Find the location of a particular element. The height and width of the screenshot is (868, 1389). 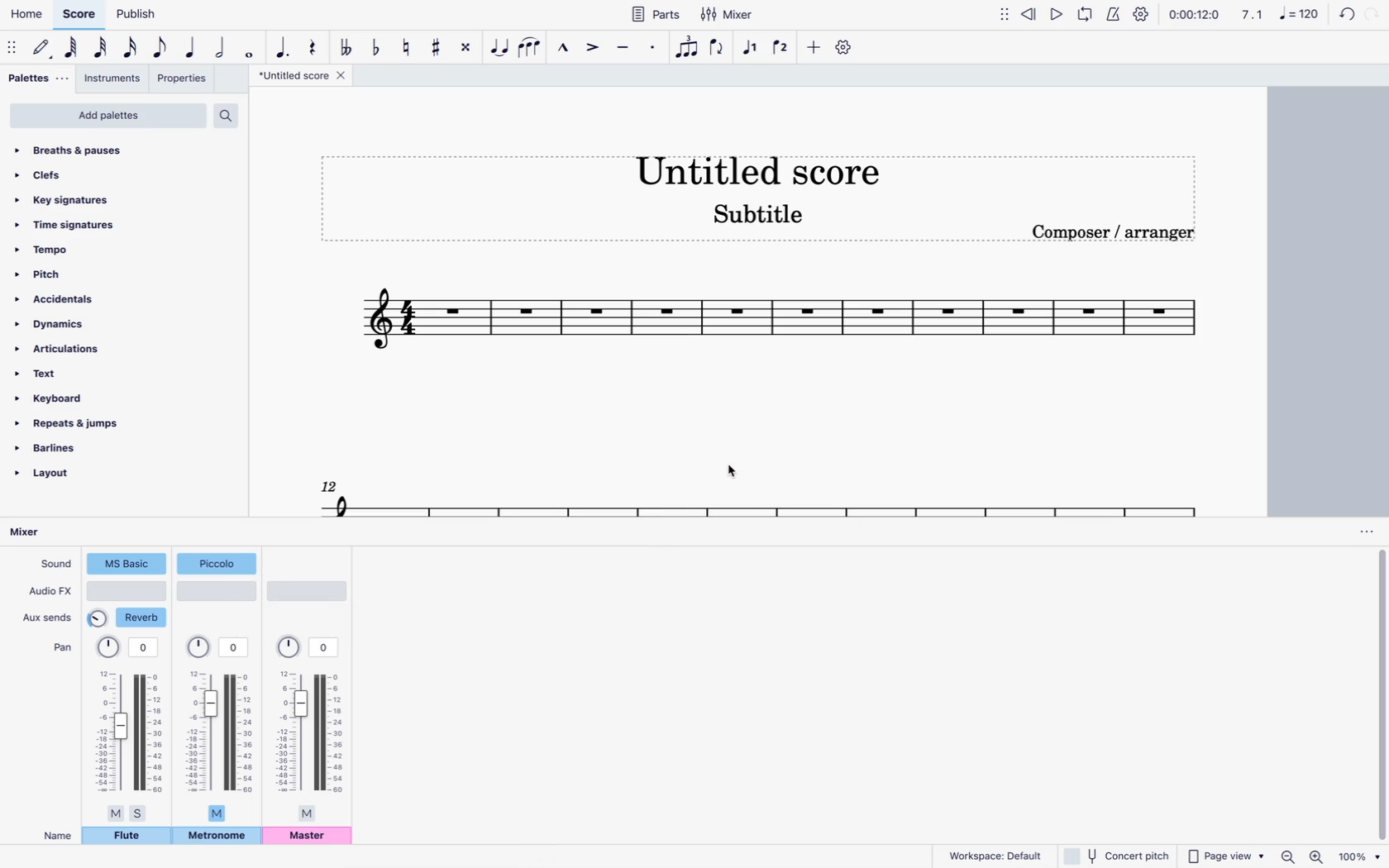

workspace is located at coordinates (995, 855).